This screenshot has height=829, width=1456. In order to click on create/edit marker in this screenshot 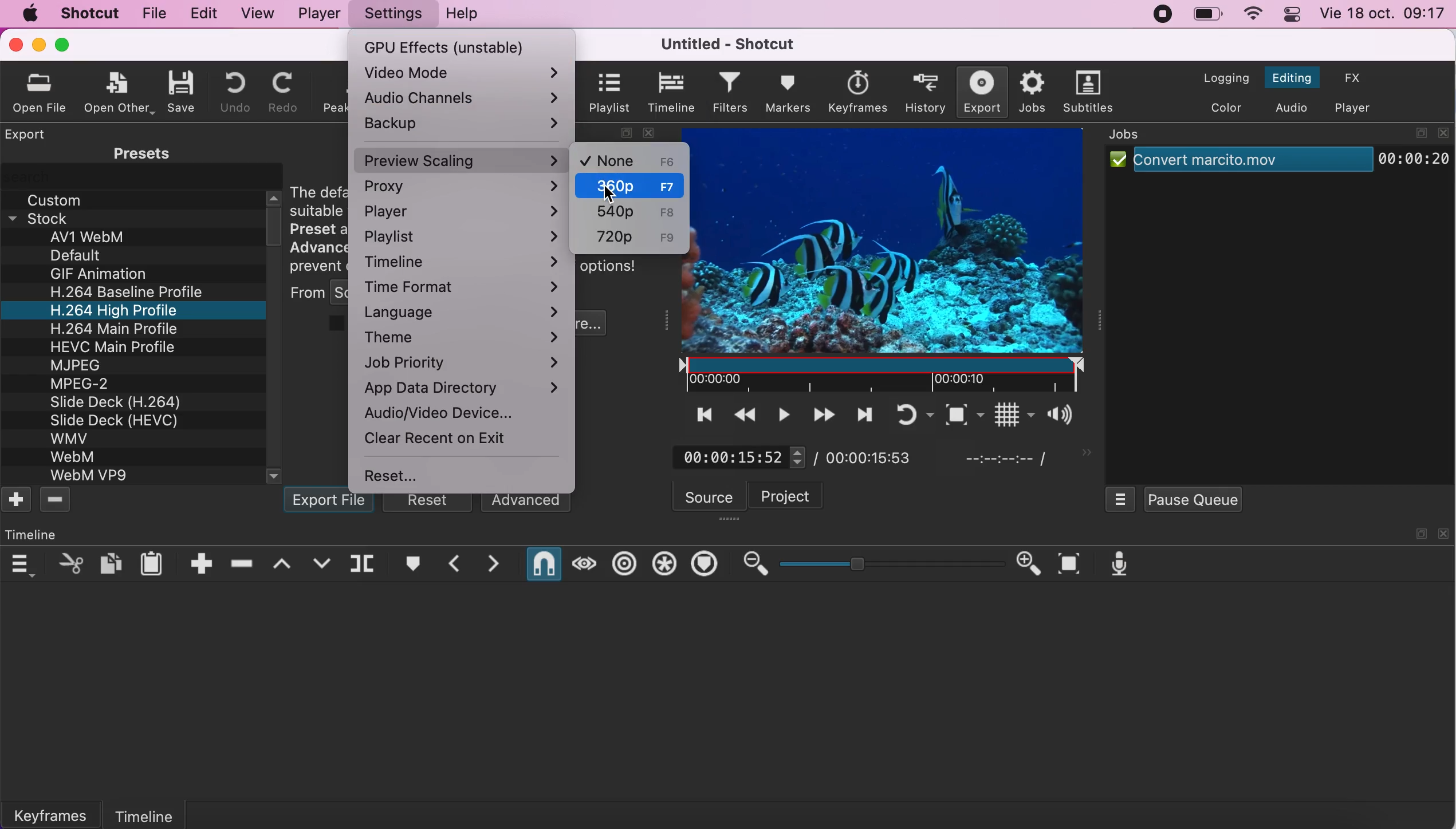, I will do `click(411, 566)`.